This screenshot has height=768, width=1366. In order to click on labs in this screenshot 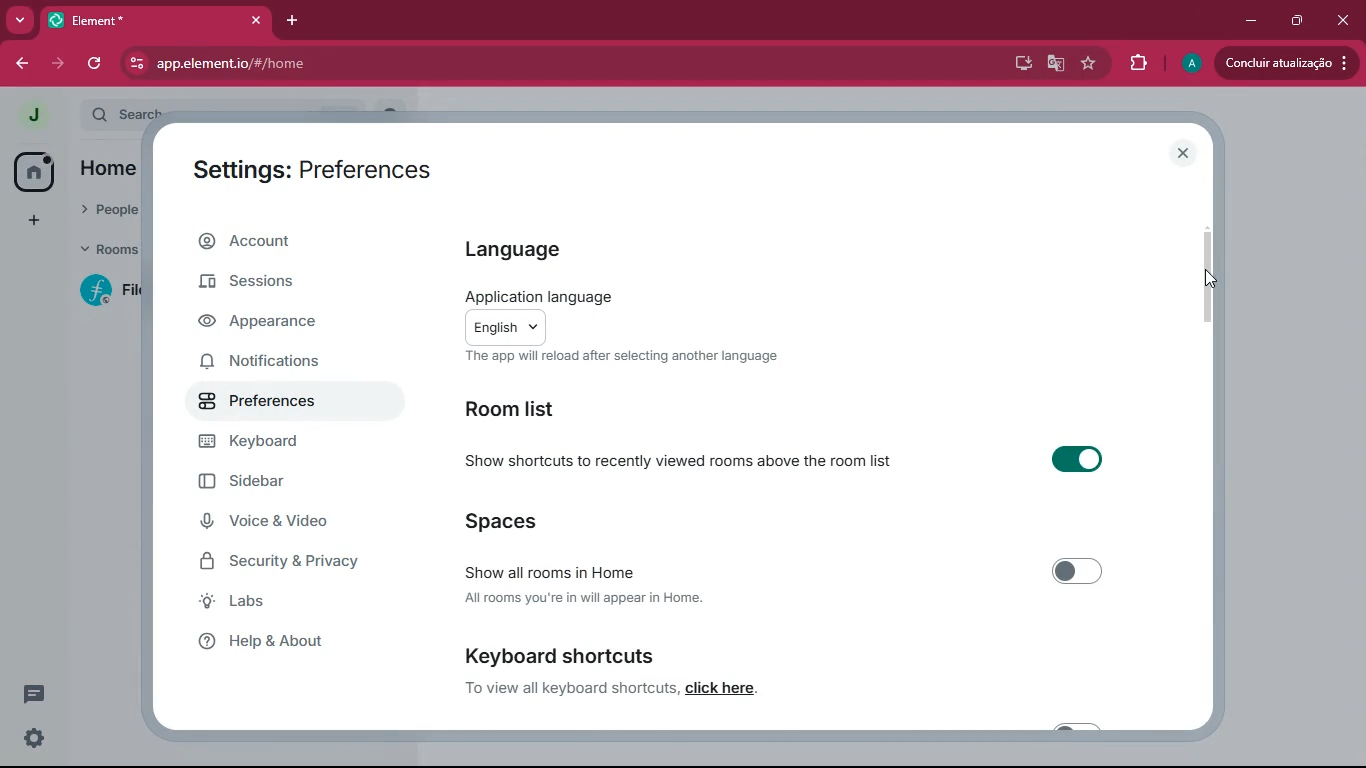, I will do `click(283, 605)`.